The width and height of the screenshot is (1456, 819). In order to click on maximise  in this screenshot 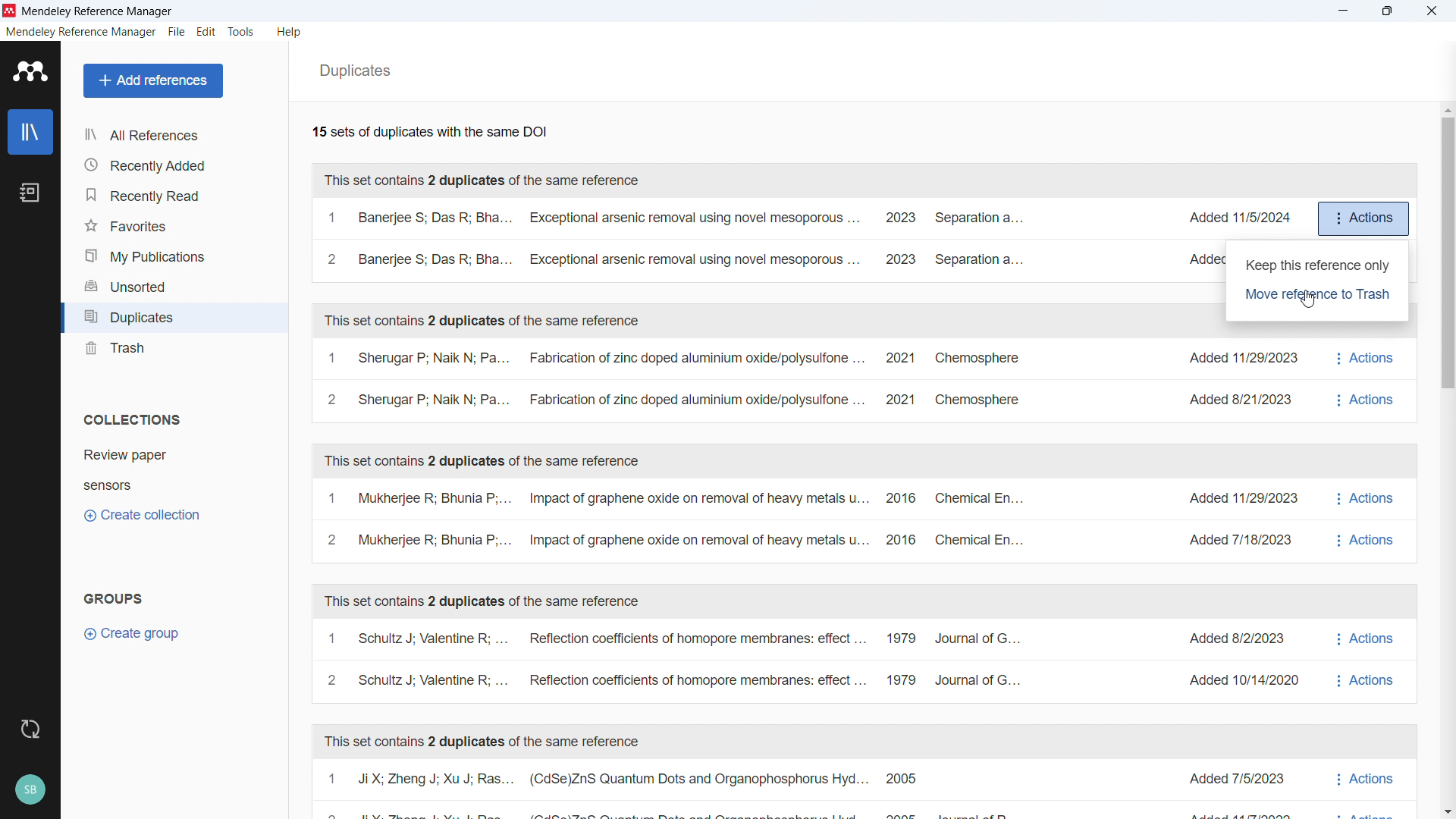, I will do `click(1390, 11)`.